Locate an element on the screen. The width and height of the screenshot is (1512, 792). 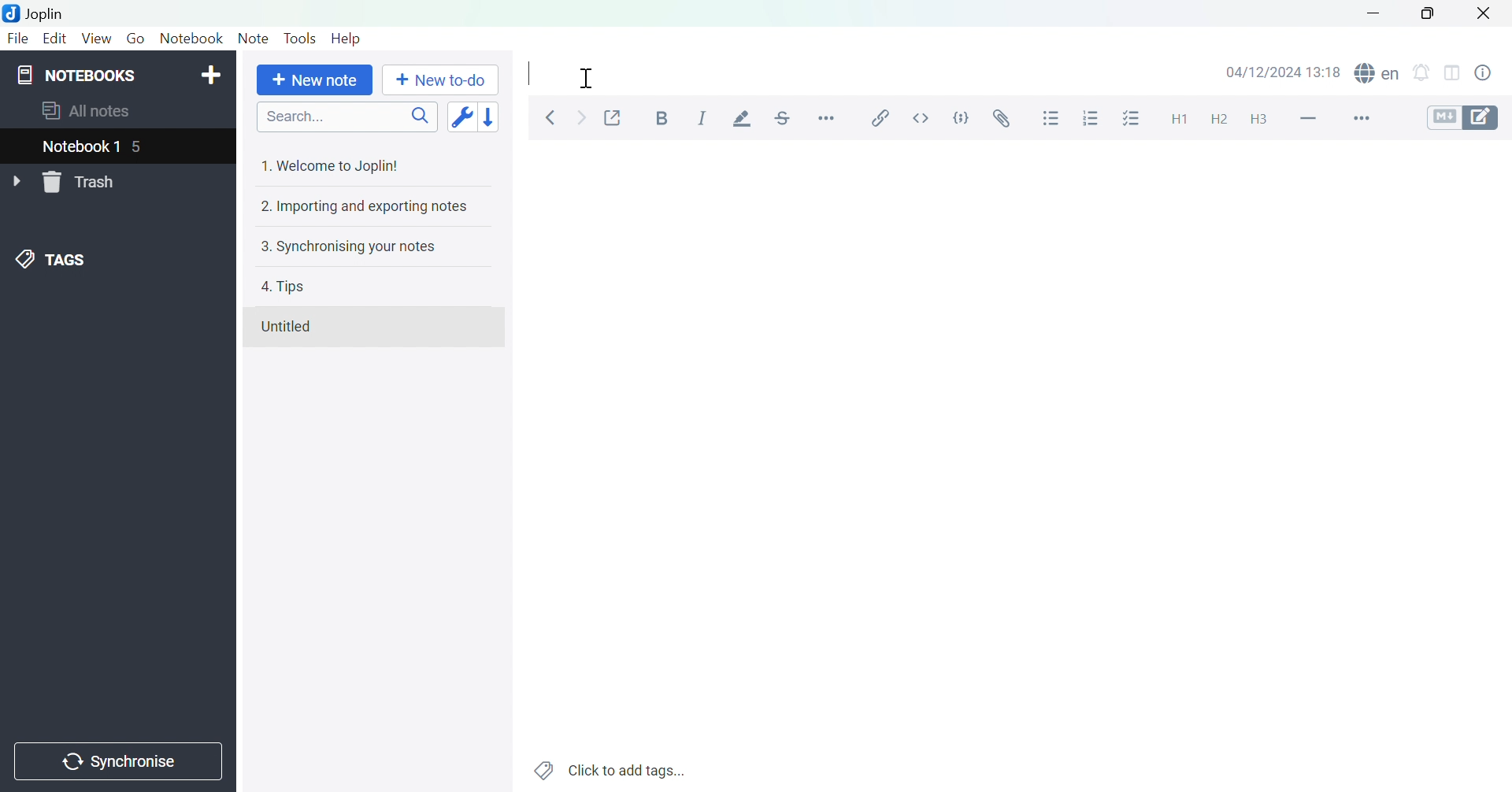
Horizontal line is located at coordinates (1308, 118).